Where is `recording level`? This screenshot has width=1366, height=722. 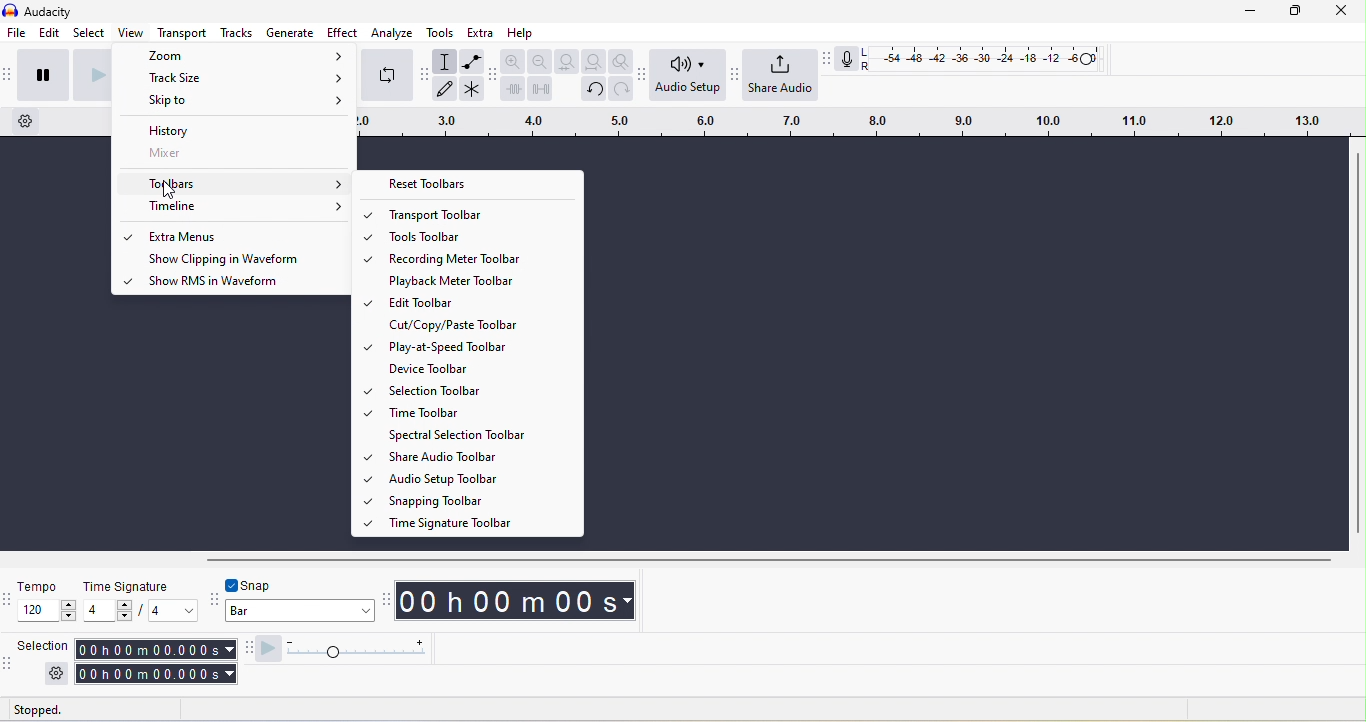 recording level is located at coordinates (989, 58).